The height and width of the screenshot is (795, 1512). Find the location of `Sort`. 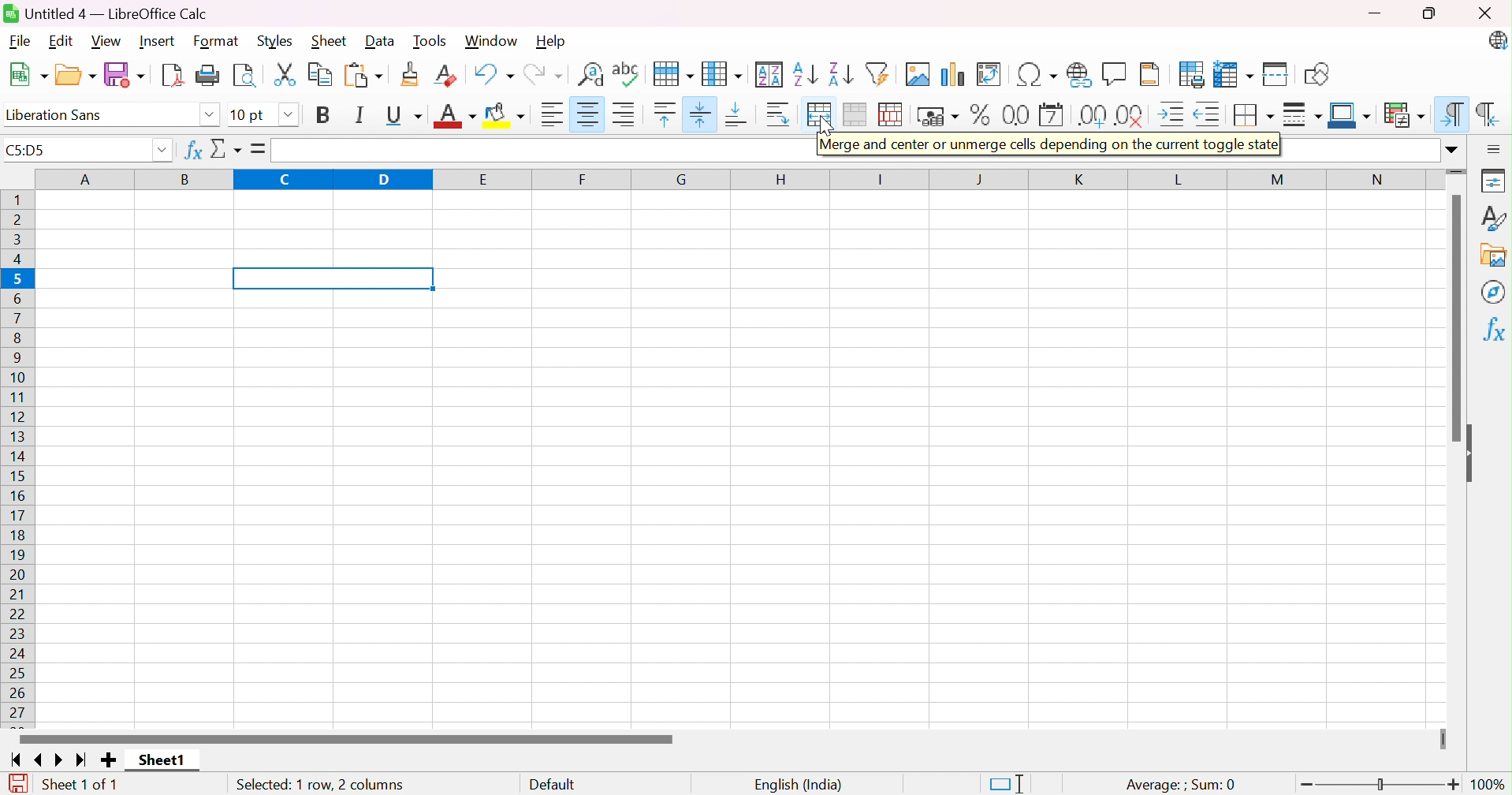

Sort is located at coordinates (771, 73).